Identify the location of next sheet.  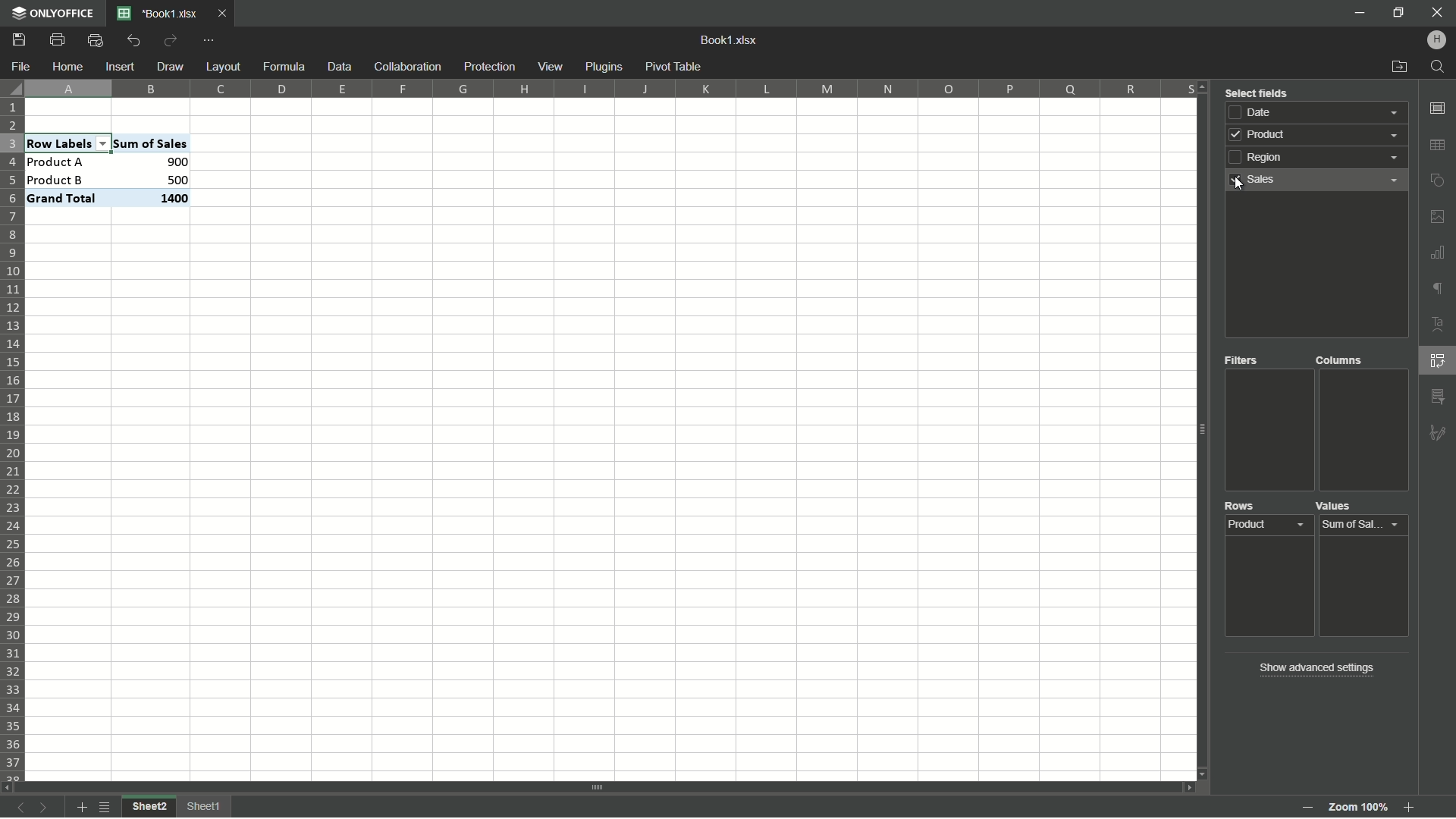
(47, 808).